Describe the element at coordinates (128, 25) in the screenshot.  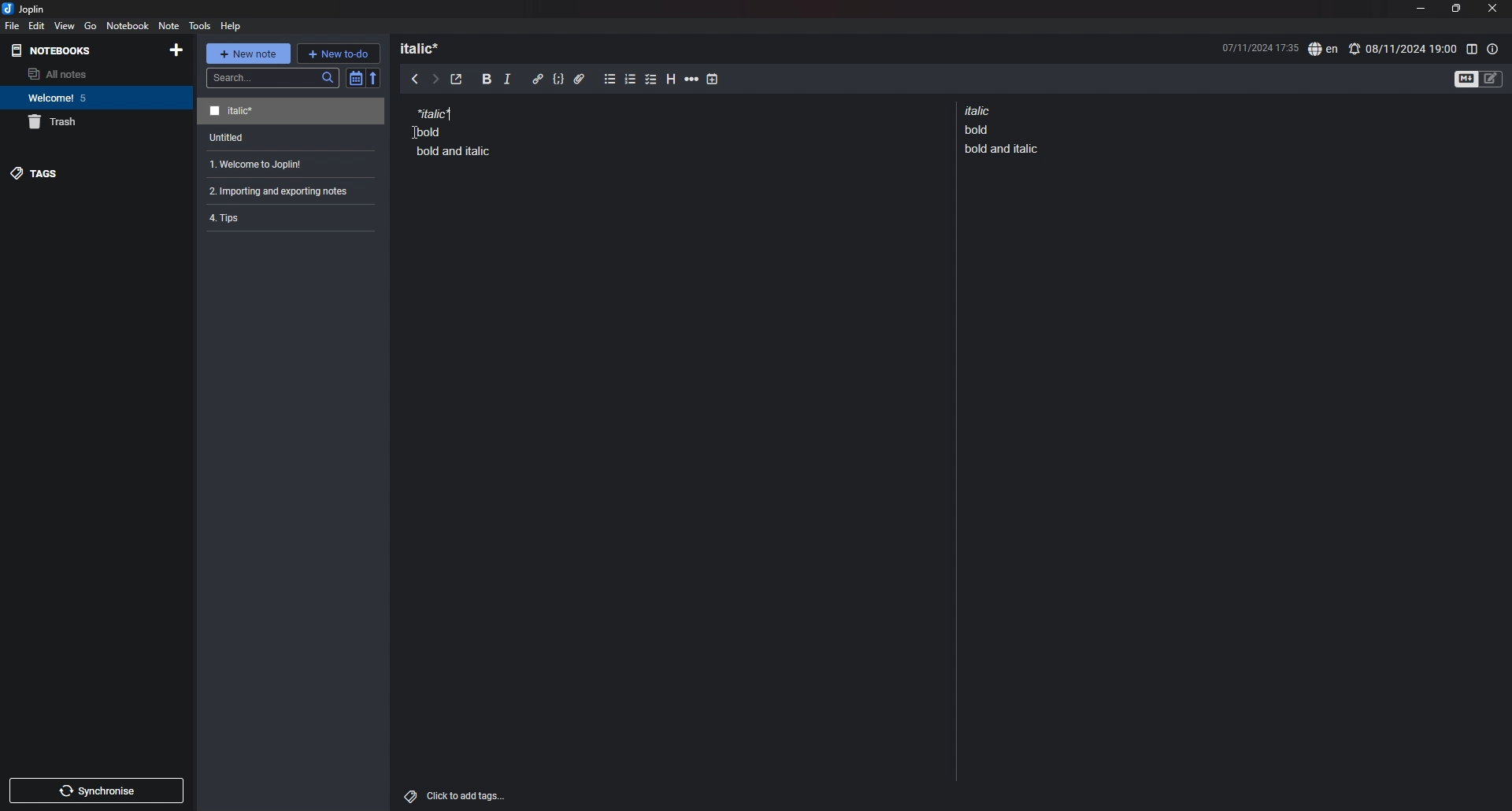
I see `notebook` at that location.